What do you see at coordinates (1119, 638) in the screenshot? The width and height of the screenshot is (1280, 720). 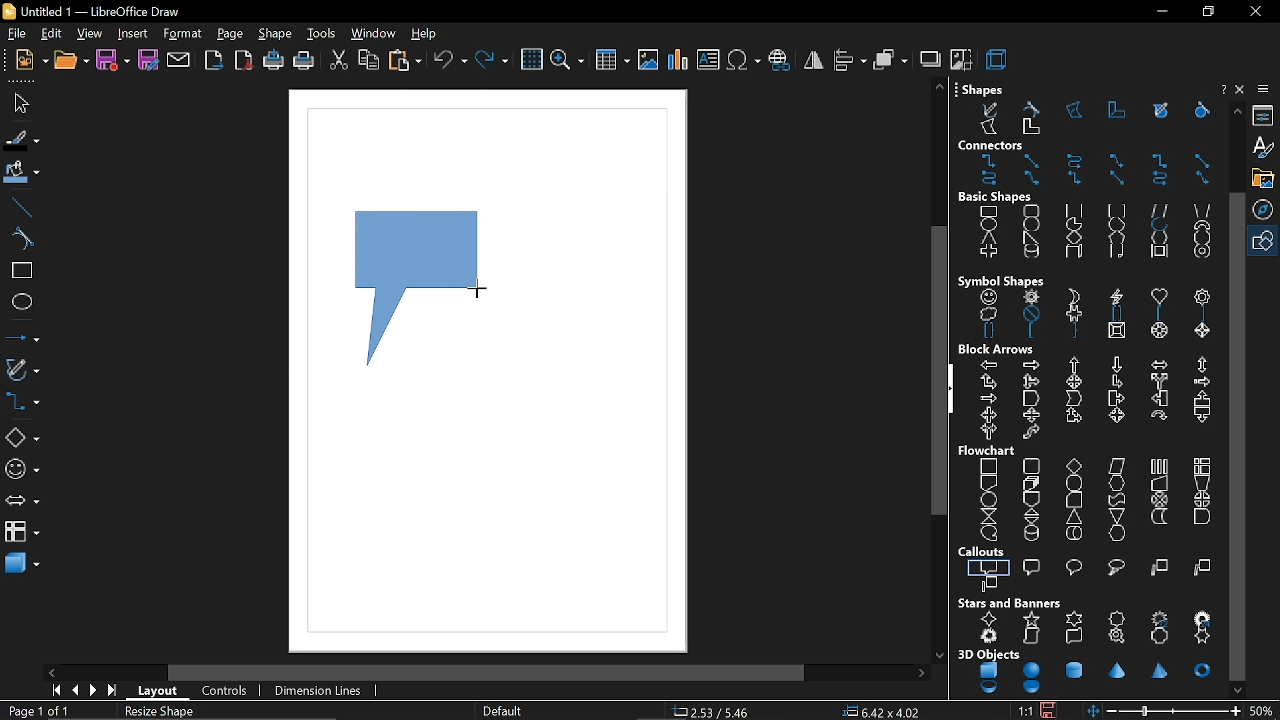 I see `signet` at bounding box center [1119, 638].